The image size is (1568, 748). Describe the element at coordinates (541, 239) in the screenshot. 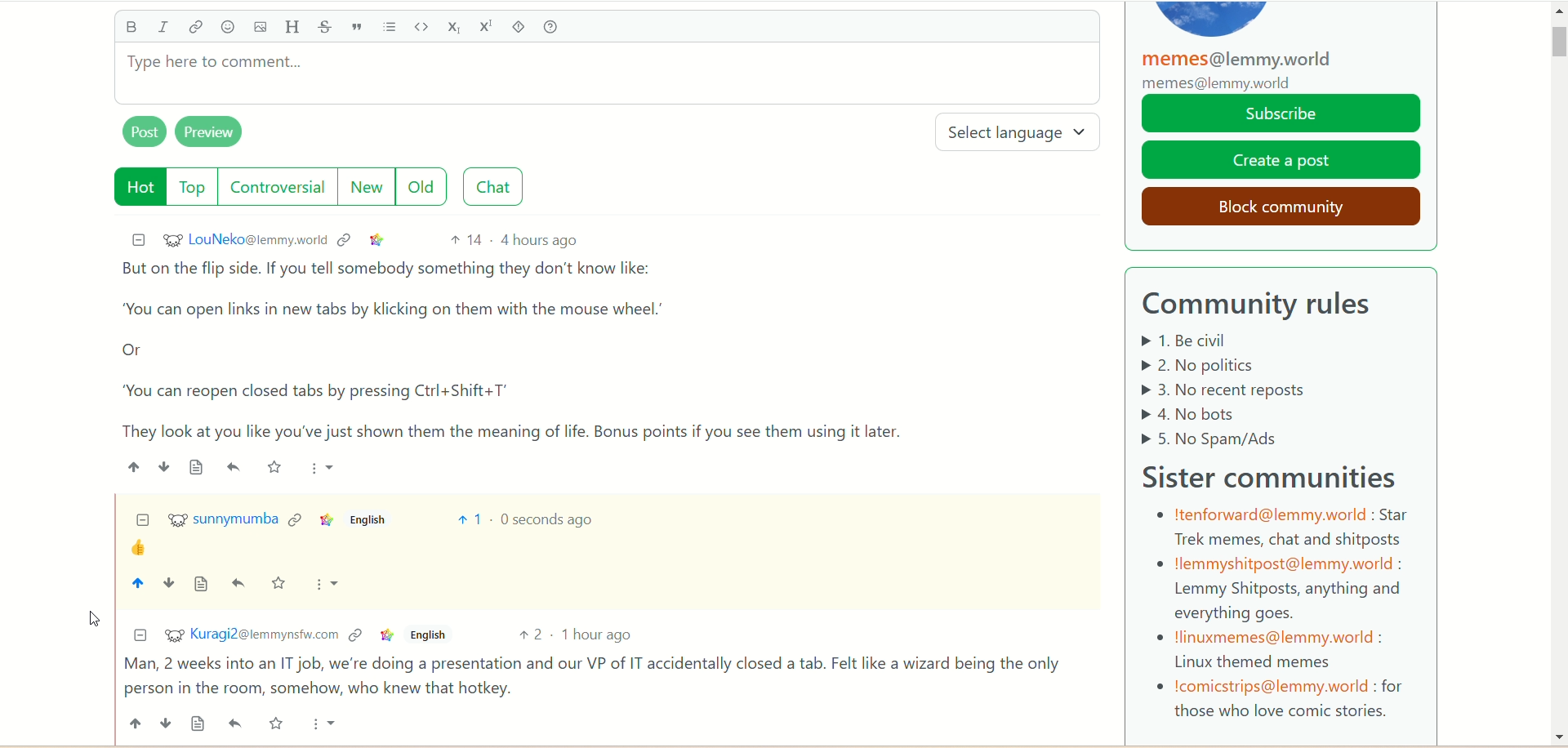

I see `4 hours ago (post date)` at that location.